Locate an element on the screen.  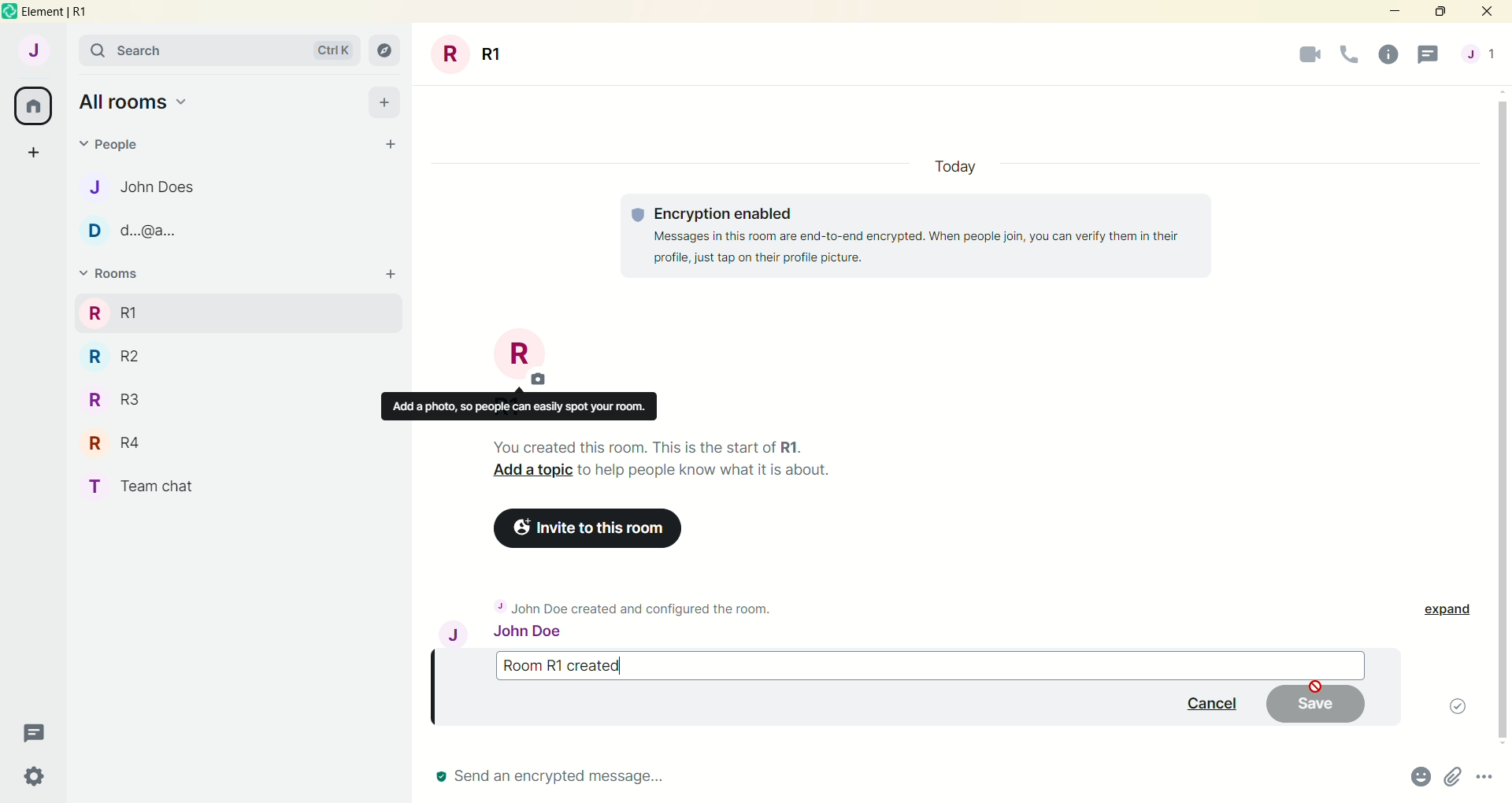
voice call is located at coordinates (1350, 55).